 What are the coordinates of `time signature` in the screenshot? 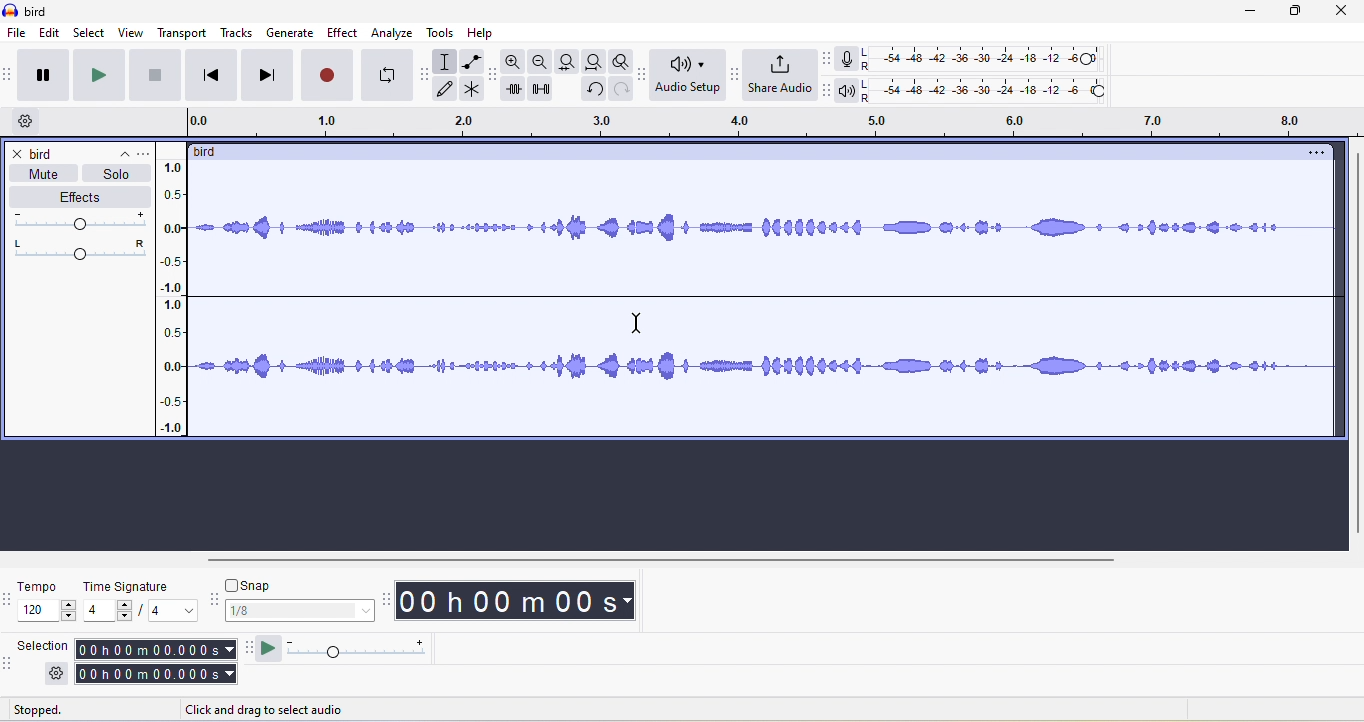 It's located at (142, 600).